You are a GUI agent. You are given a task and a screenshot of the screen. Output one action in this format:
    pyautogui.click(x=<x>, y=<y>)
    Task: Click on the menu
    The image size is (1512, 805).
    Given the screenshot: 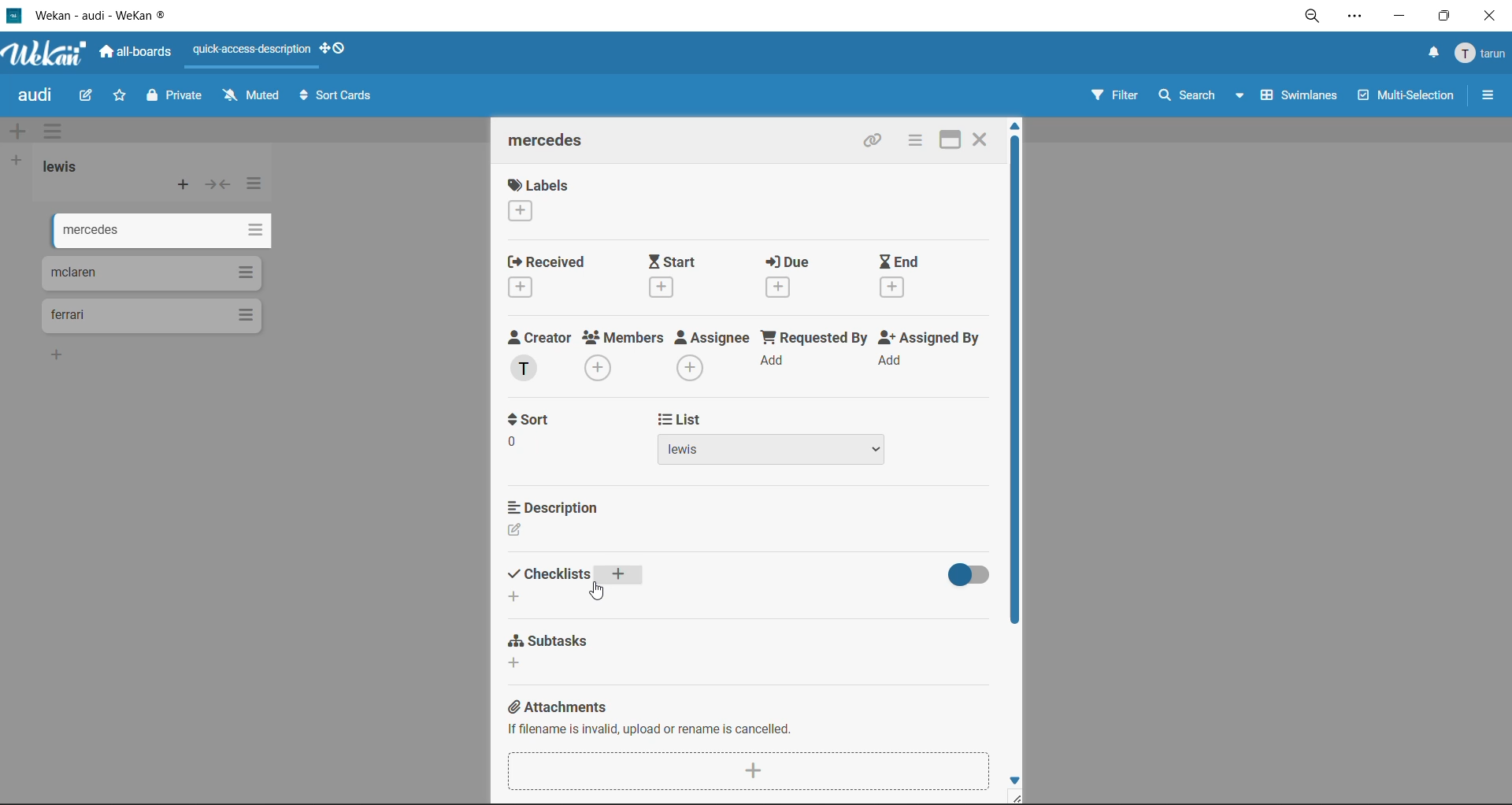 What is the action you would take?
    pyautogui.click(x=1482, y=54)
    